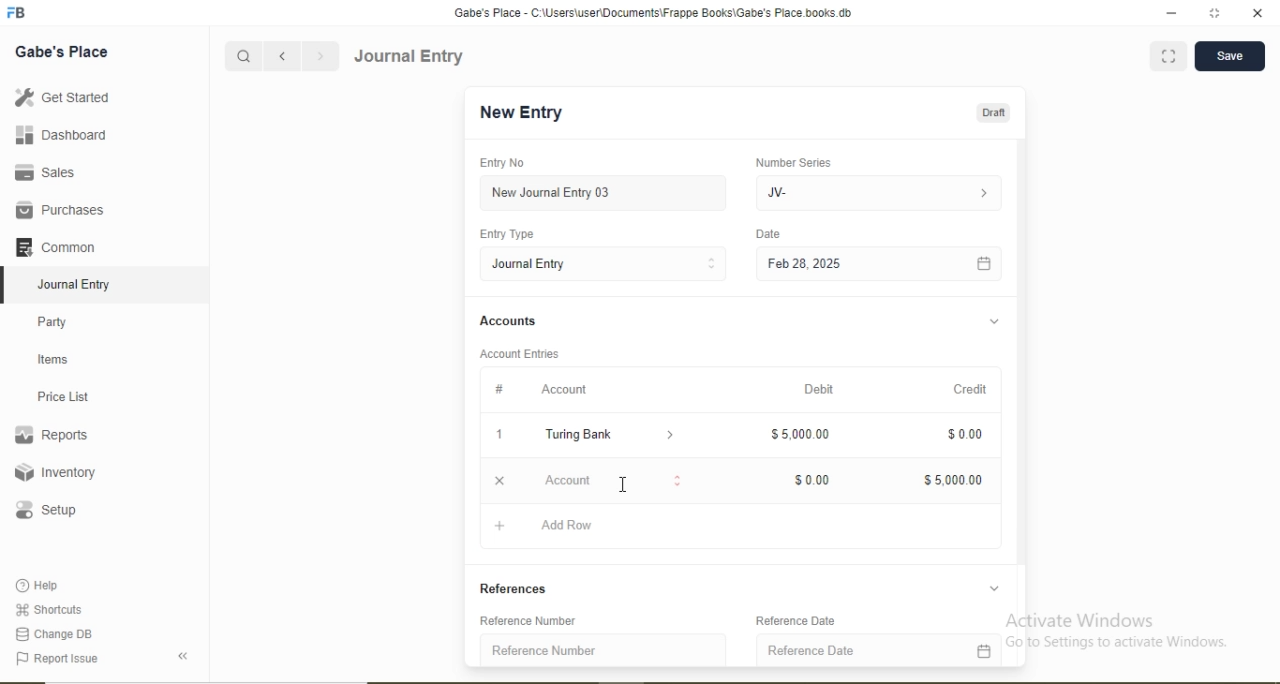 This screenshot has height=684, width=1280. Describe the element at coordinates (623, 484) in the screenshot. I see `Cursor` at that location.